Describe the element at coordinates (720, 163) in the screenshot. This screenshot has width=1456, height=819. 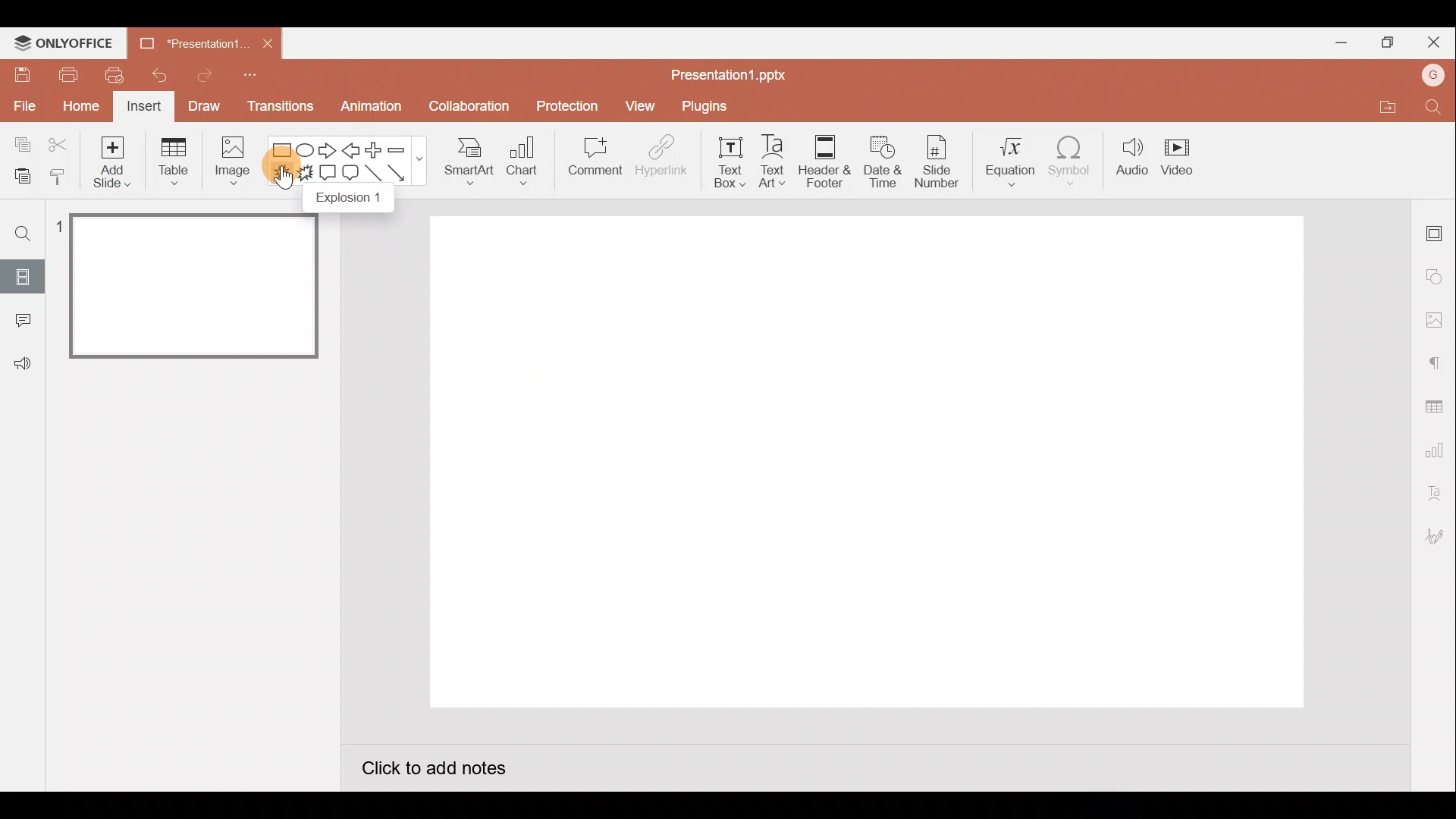
I see `Text box` at that location.